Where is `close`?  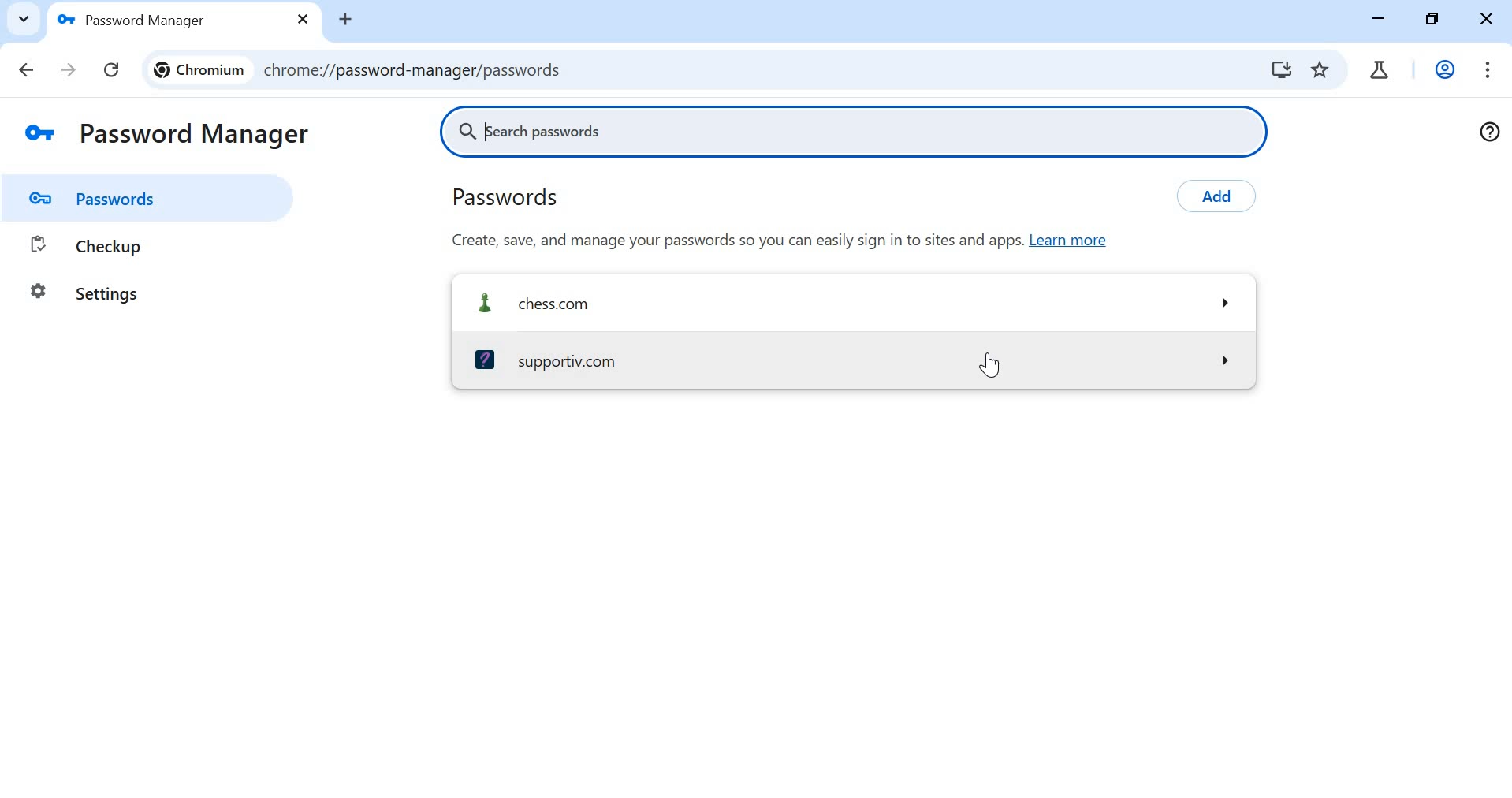
close is located at coordinates (1487, 22).